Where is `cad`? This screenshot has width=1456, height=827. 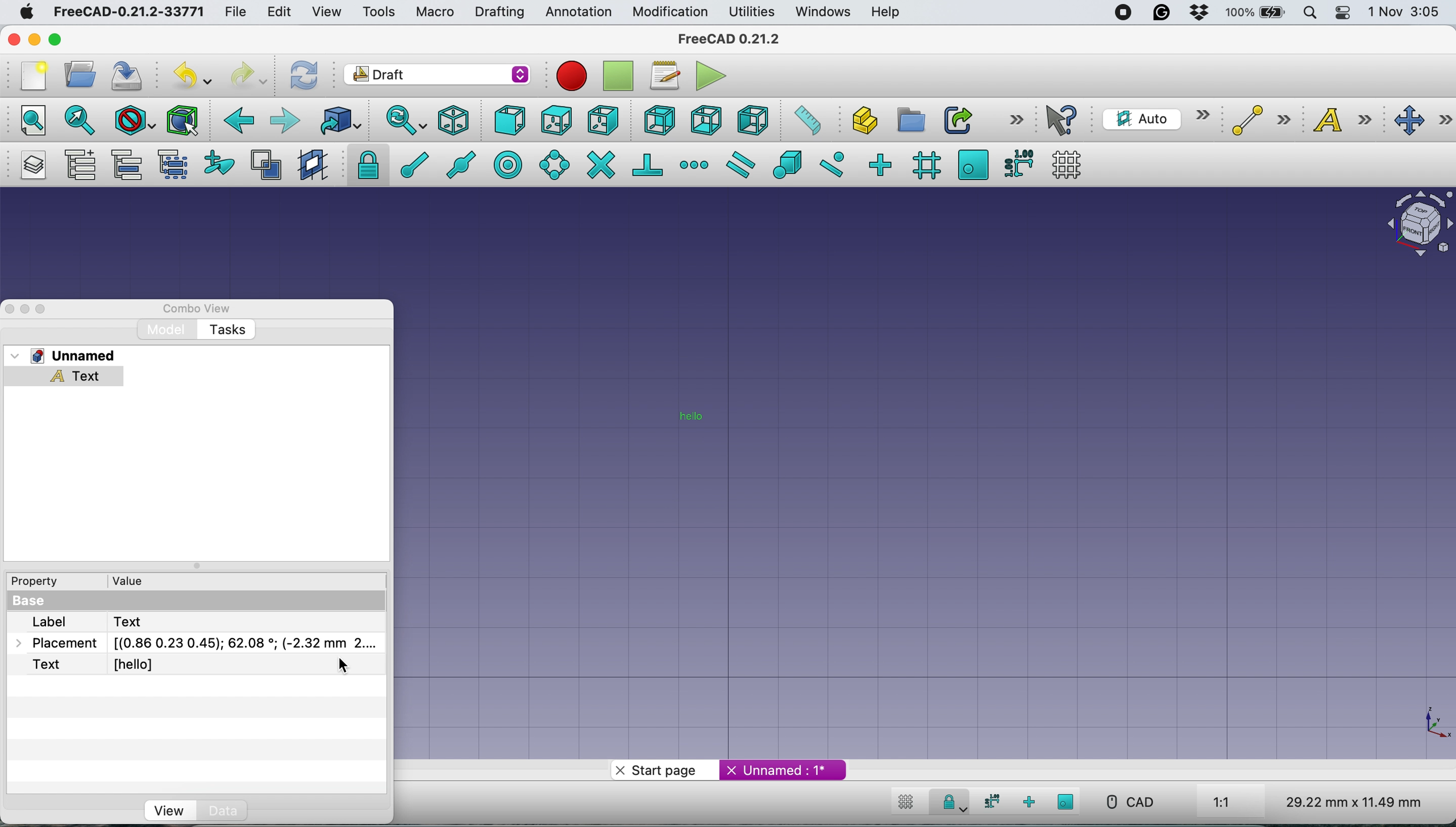
cad is located at coordinates (1135, 804).